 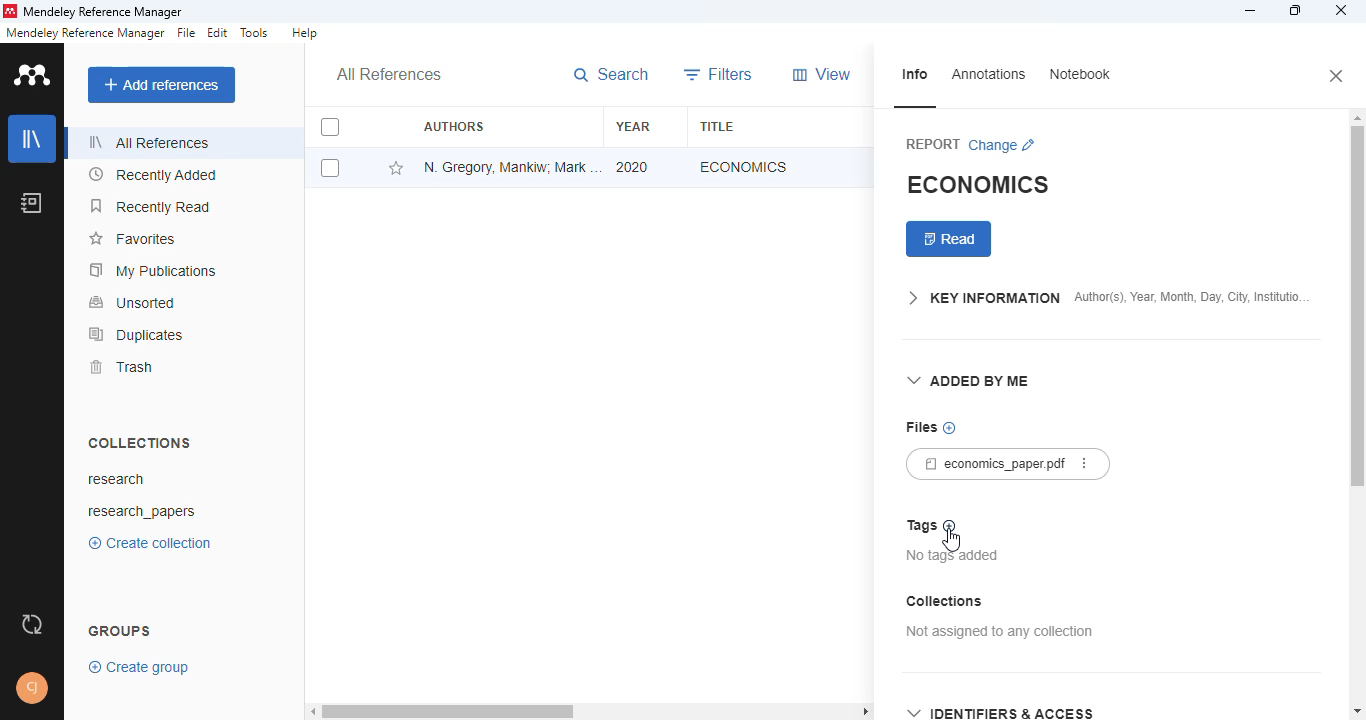 I want to click on close, so click(x=1338, y=77).